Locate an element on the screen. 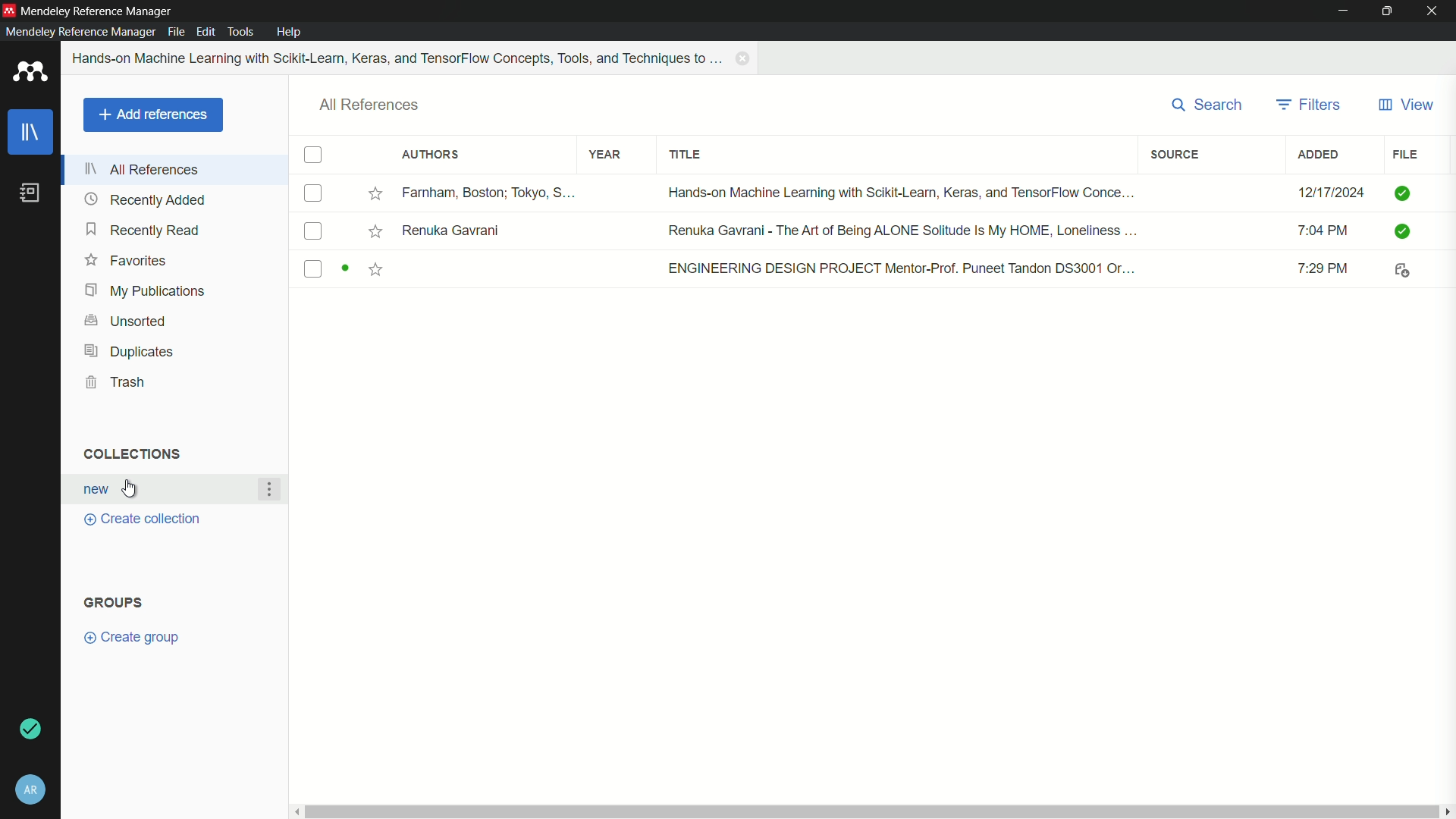 The height and width of the screenshot is (819, 1456). file is located at coordinates (1404, 155).